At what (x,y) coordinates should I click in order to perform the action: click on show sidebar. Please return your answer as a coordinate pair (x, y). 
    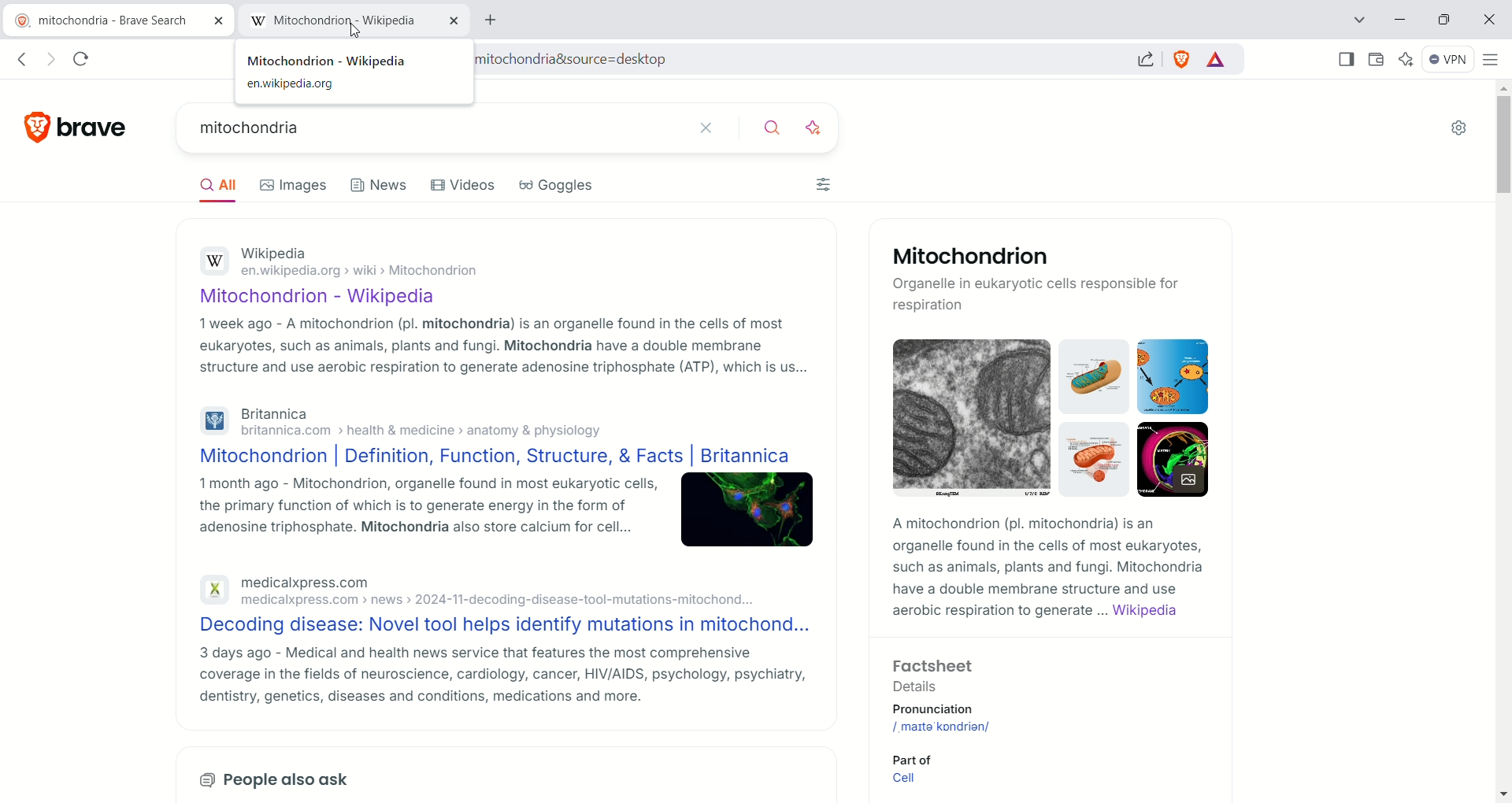
    Looking at the image, I should click on (1346, 59).